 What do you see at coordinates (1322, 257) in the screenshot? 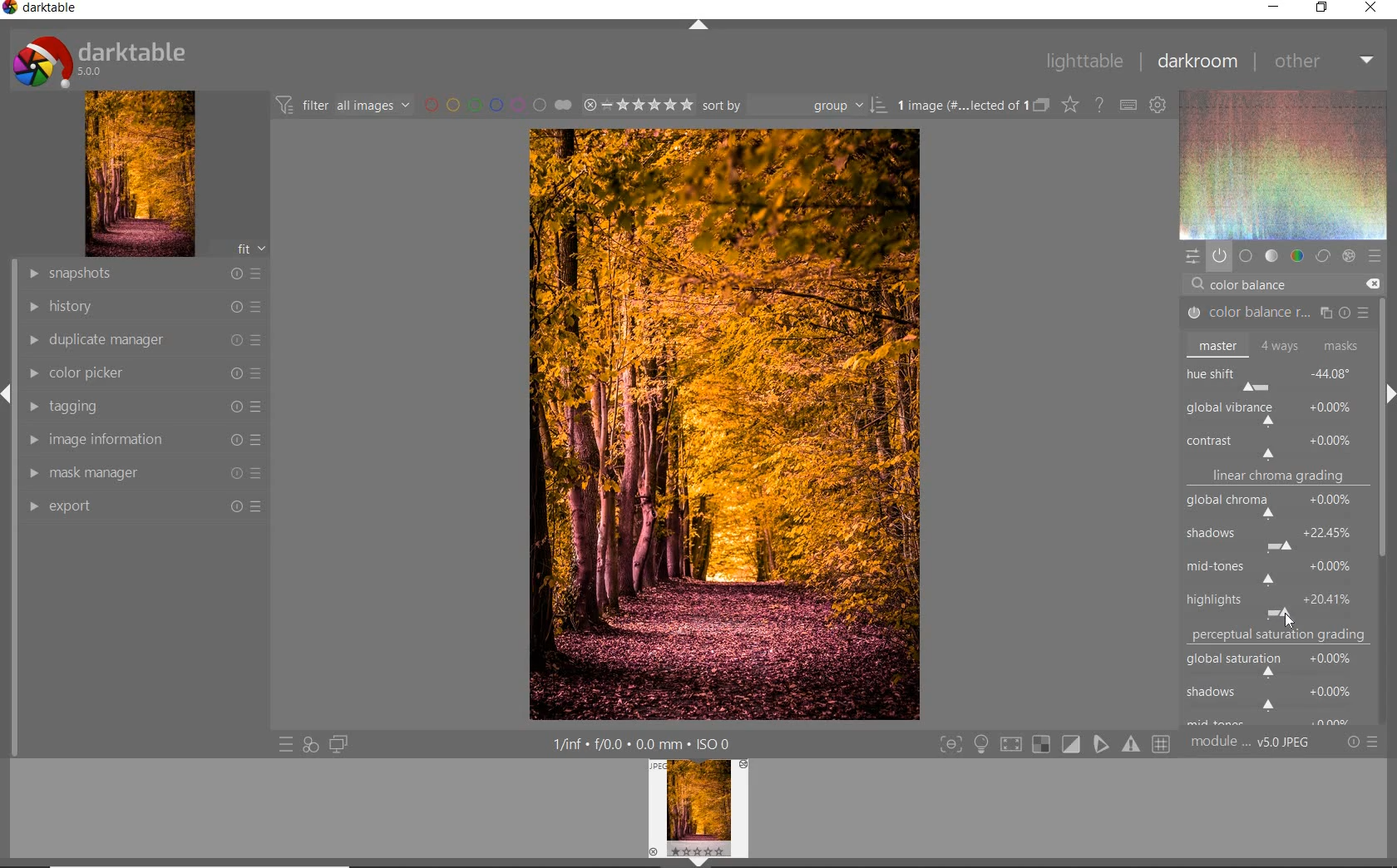
I see `correct` at bounding box center [1322, 257].